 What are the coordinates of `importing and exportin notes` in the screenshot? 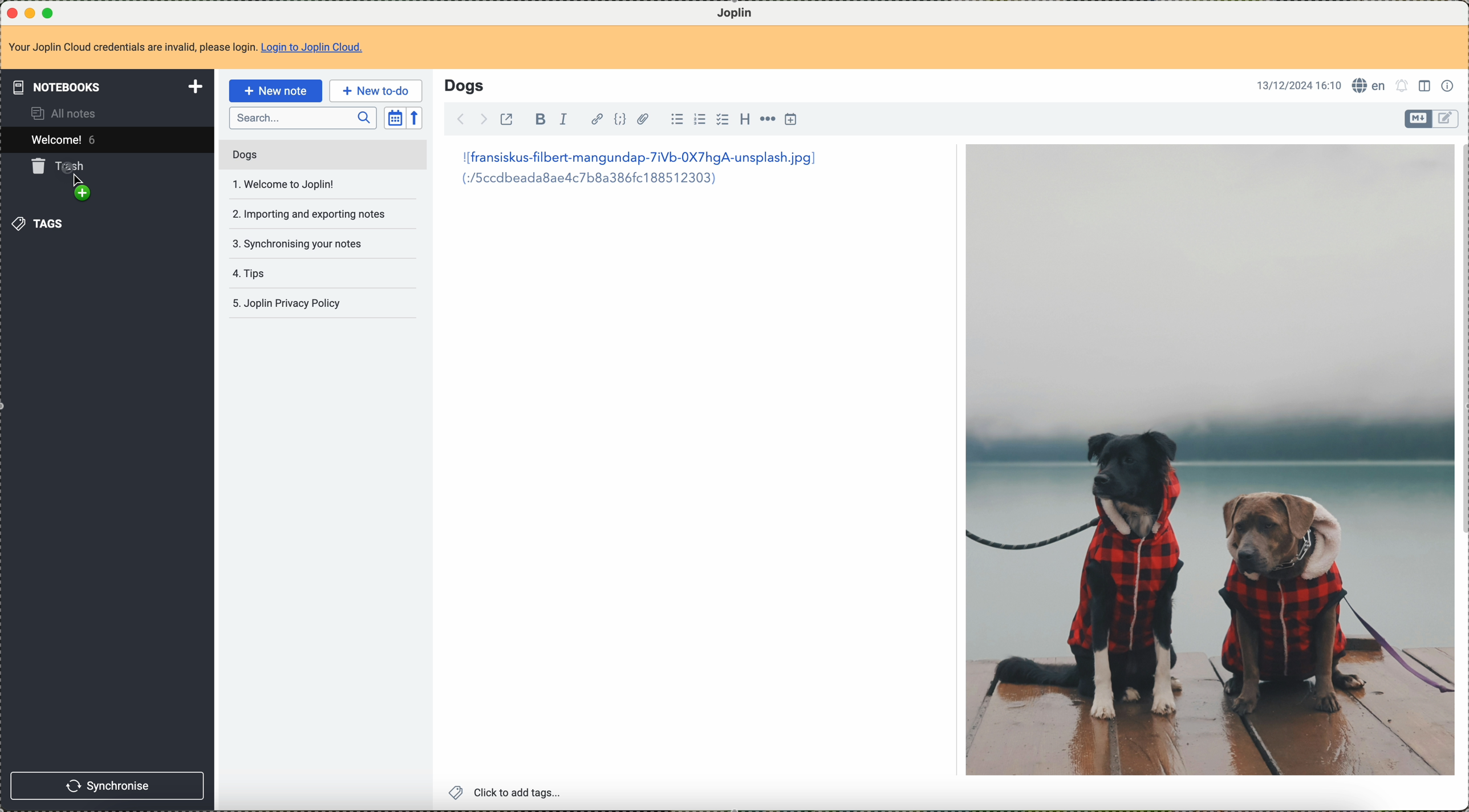 It's located at (307, 214).